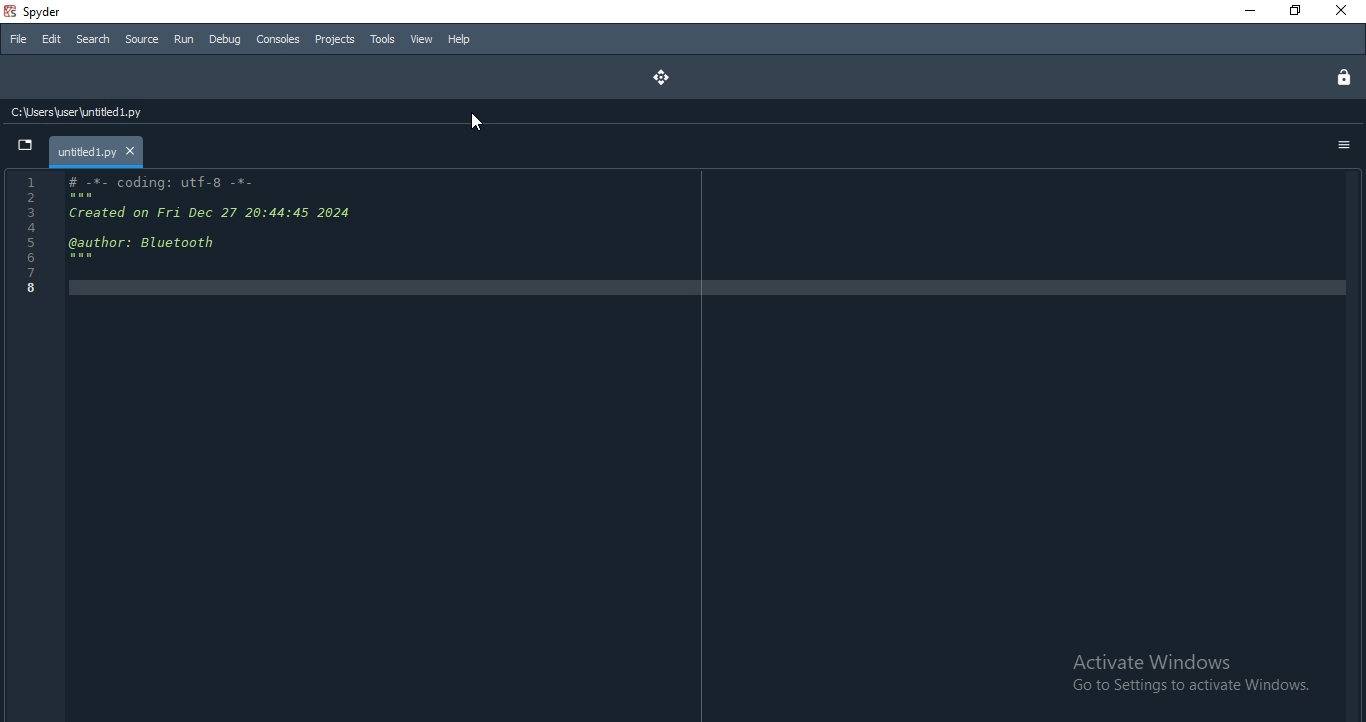 This screenshot has width=1366, height=722. I want to click on Search, so click(91, 39).